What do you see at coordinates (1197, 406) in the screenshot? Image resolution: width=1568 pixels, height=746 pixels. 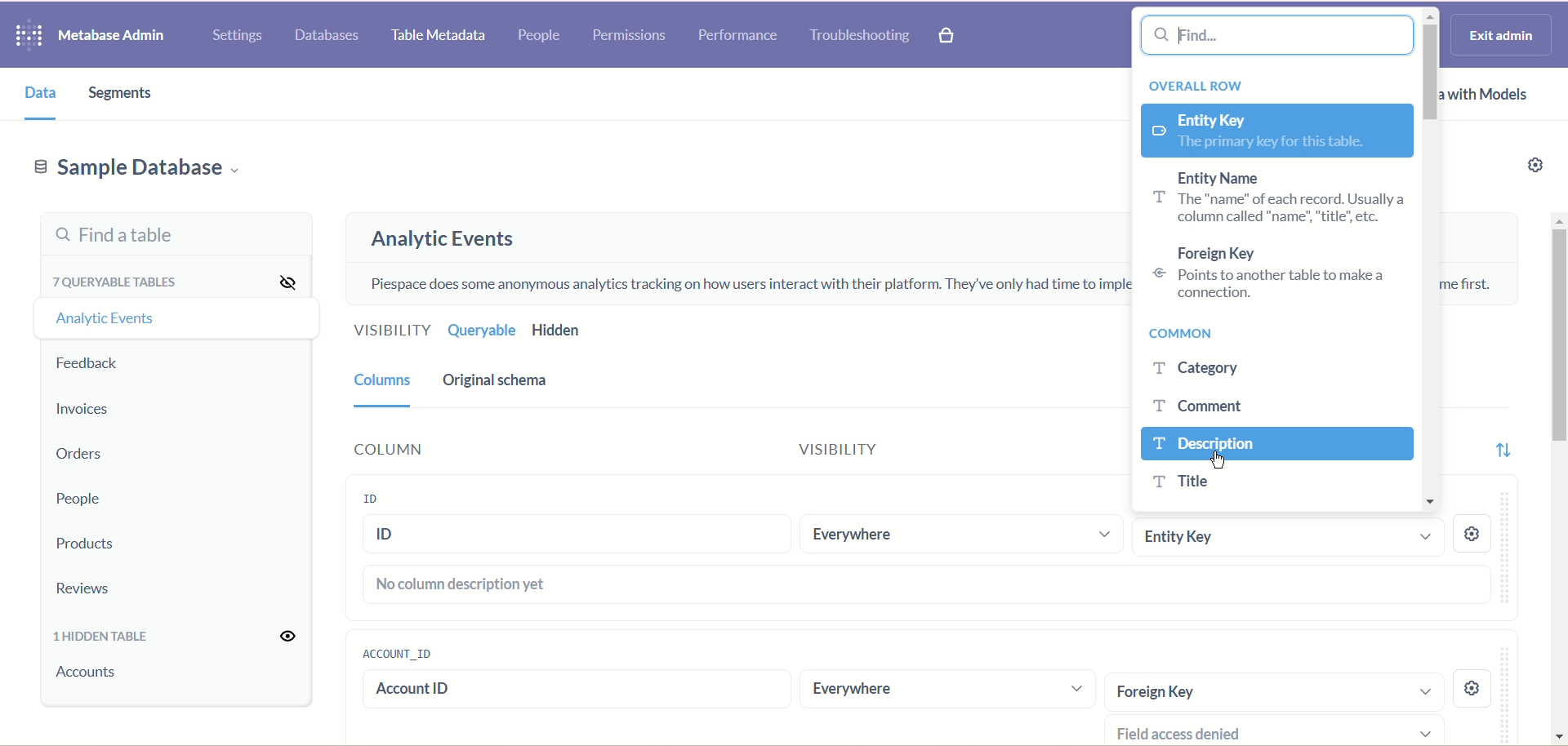 I see `comment` at bounding box center [1197, 406].